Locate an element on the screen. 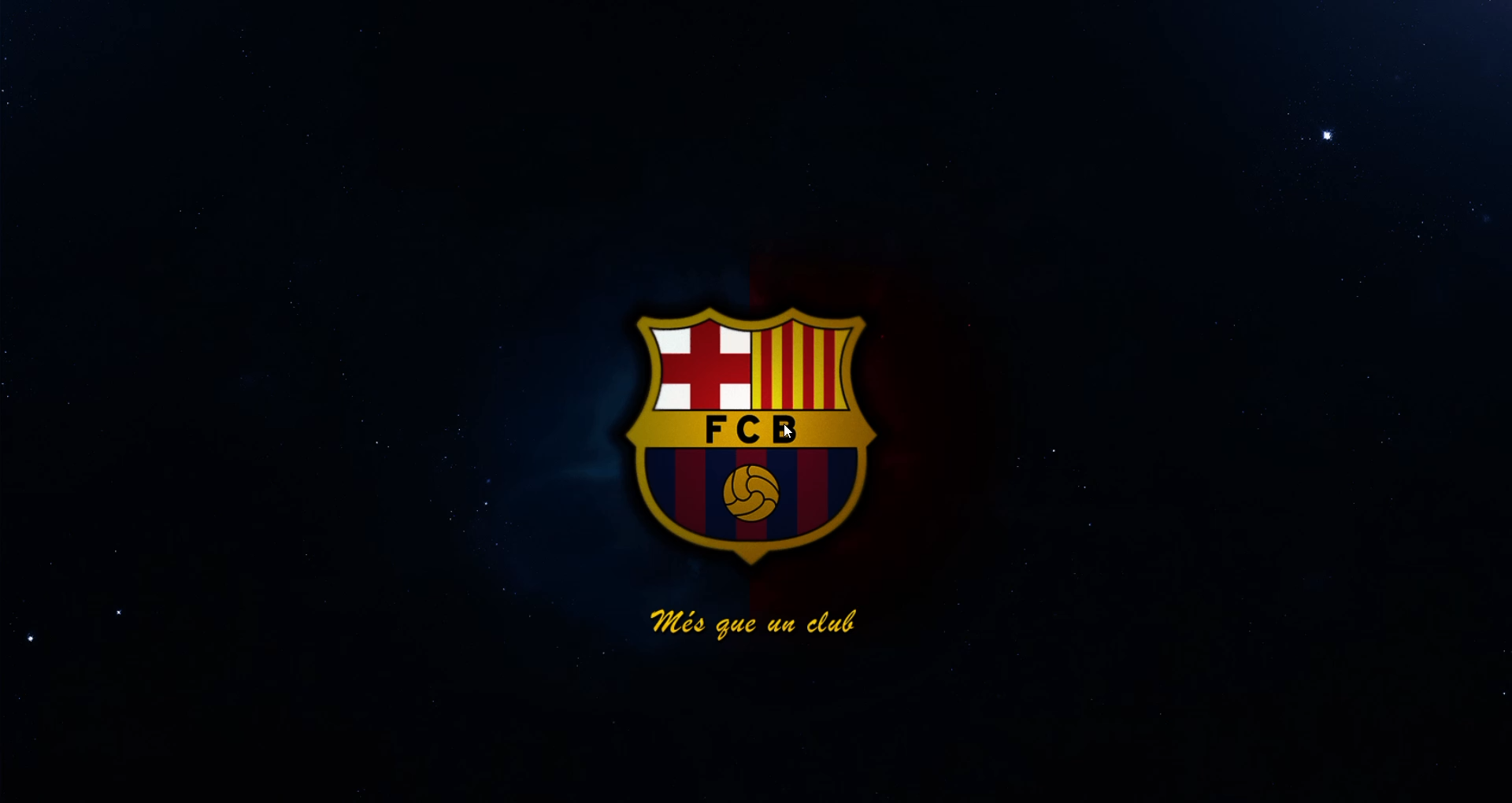 The height and width of the screenshot is (803, 1512). cursor is located at coordinates (800, 427).